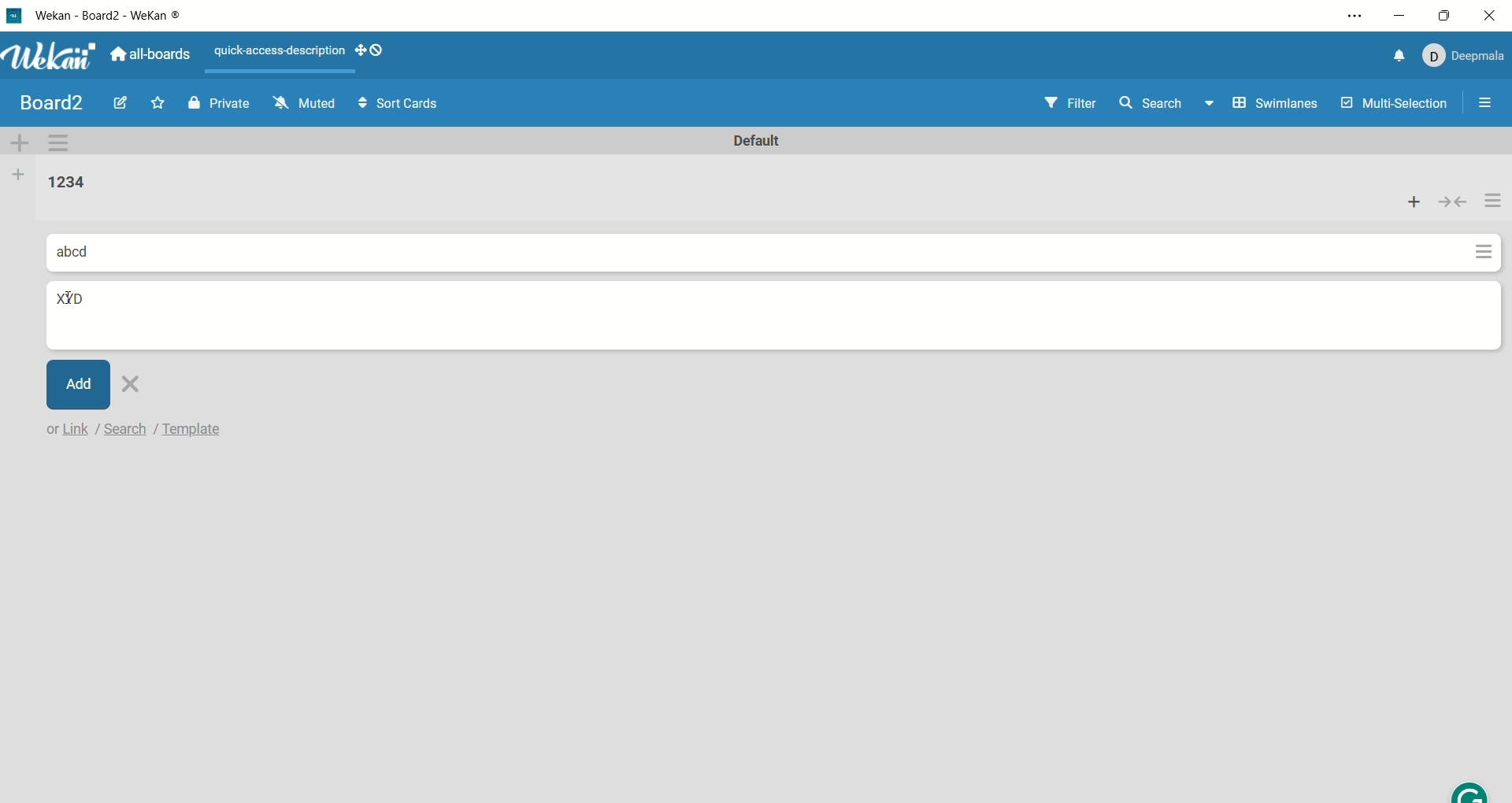  I want to click on collapse, so click(1455, 202).